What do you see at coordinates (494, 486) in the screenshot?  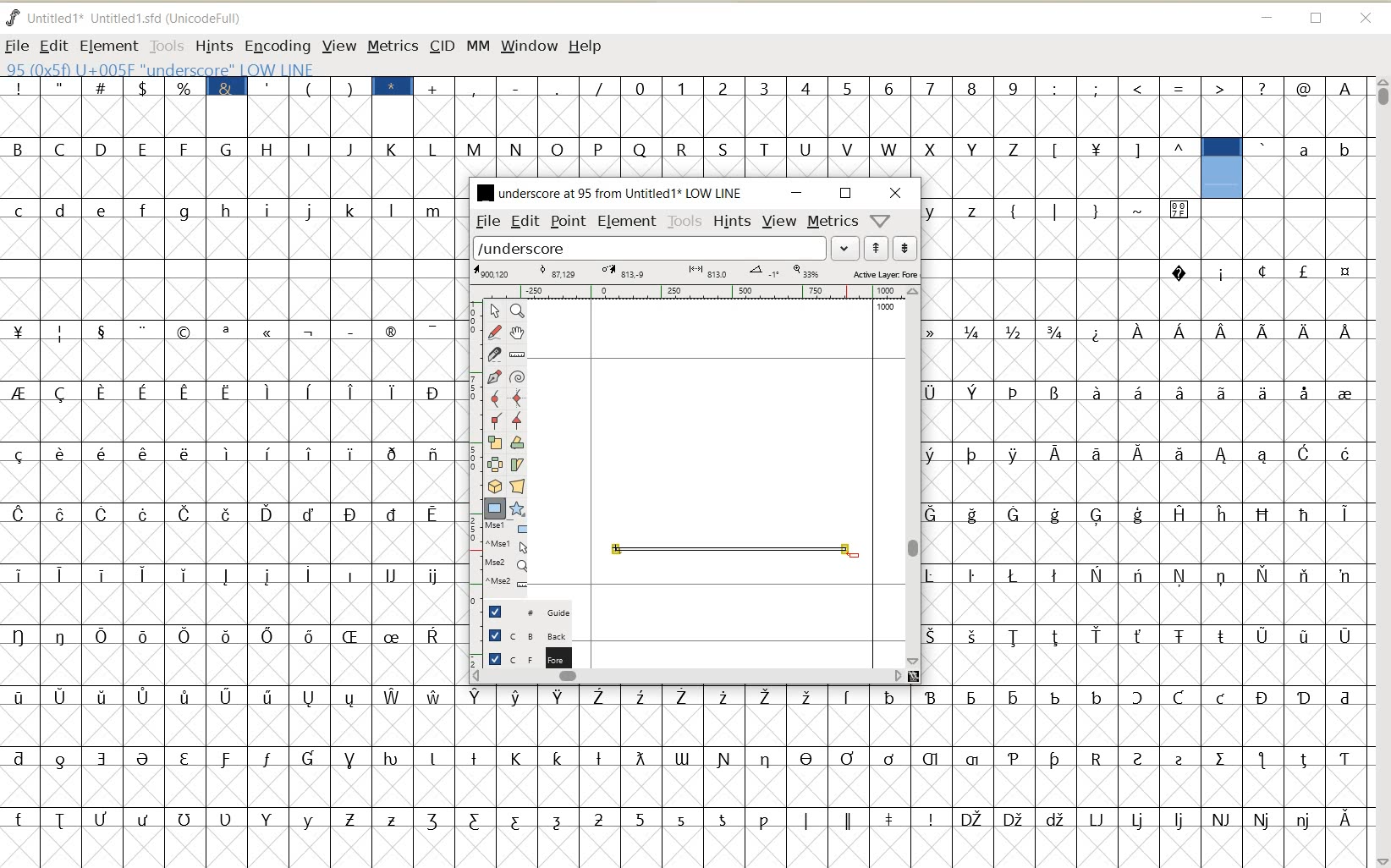 I see `rotate the selection in 3D and project back to plane` at bounding box center [494, 486].